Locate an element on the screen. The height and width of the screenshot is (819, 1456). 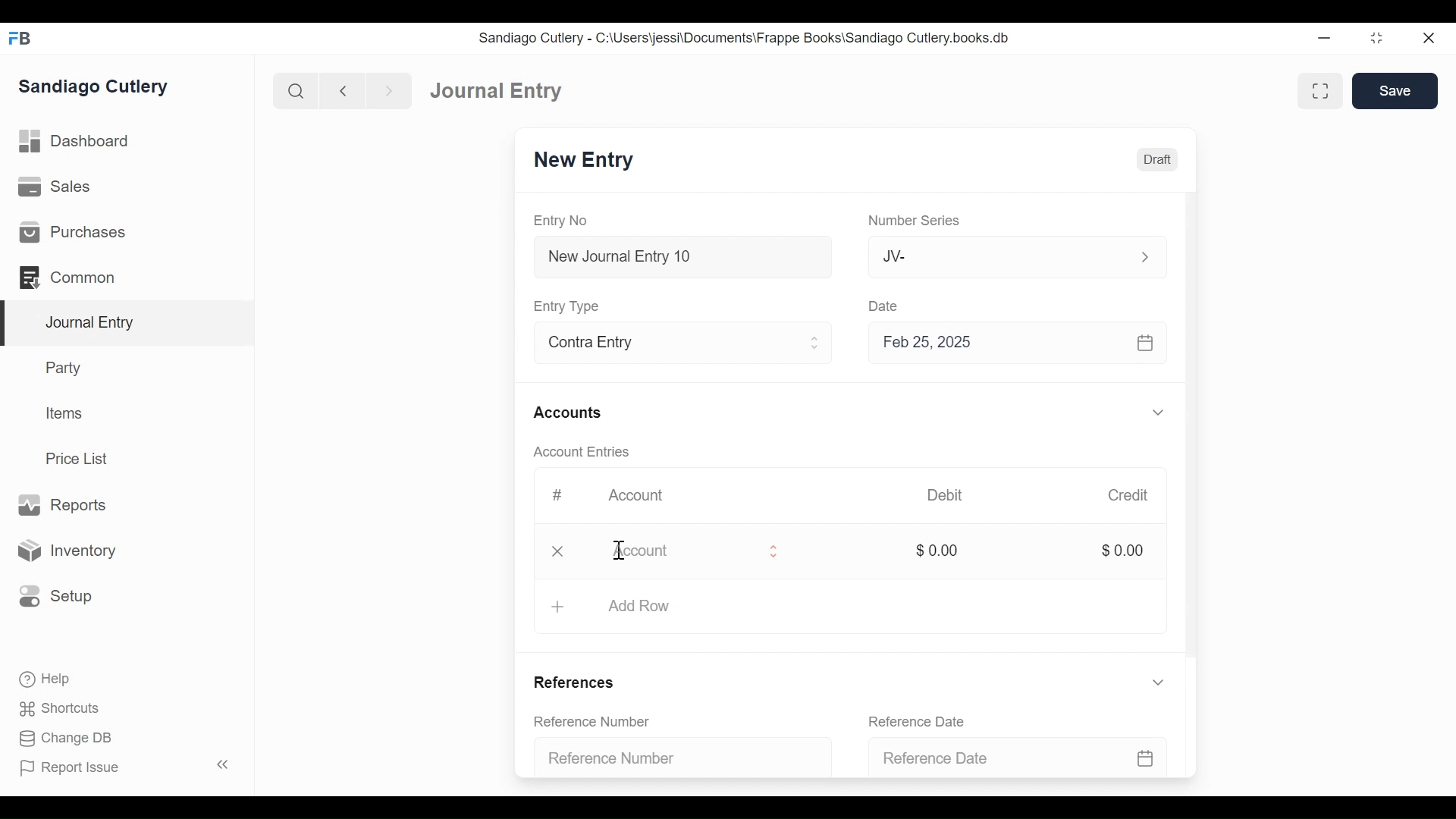
Report Issue is located at coordinates (124, 767).